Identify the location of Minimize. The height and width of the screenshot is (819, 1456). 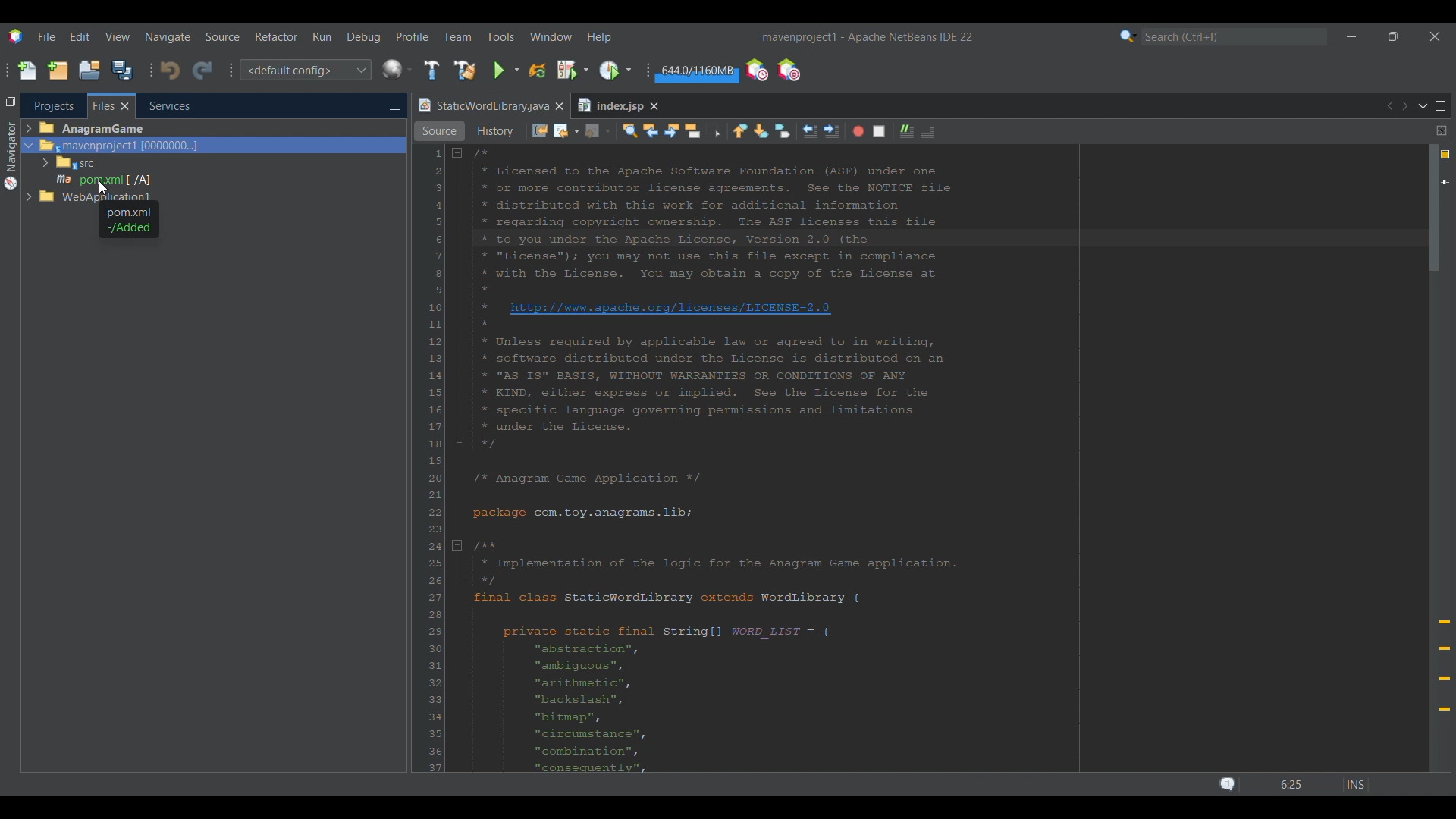
(394, 107).